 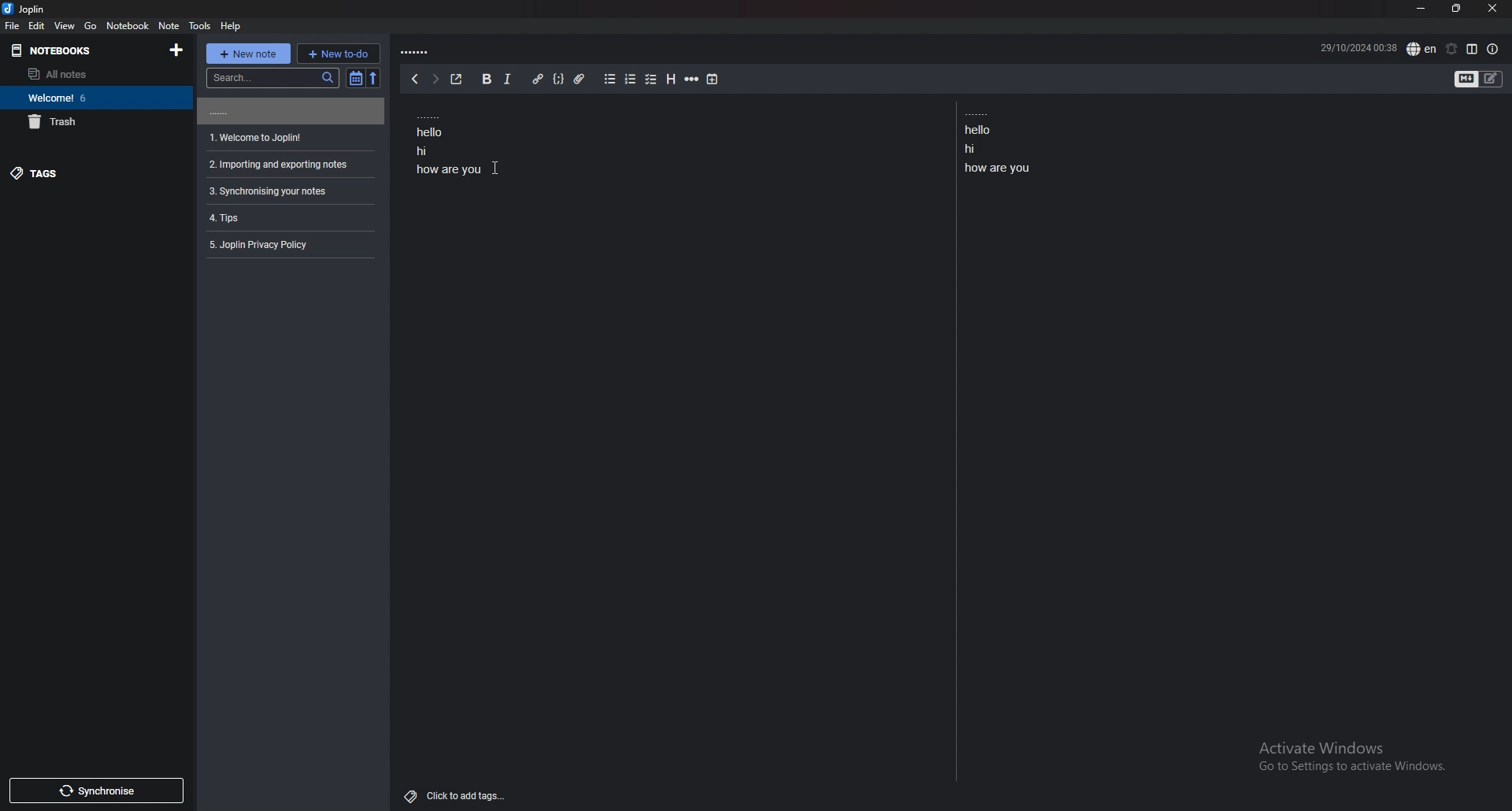 I want to click on code, so click(x=559, y=79).